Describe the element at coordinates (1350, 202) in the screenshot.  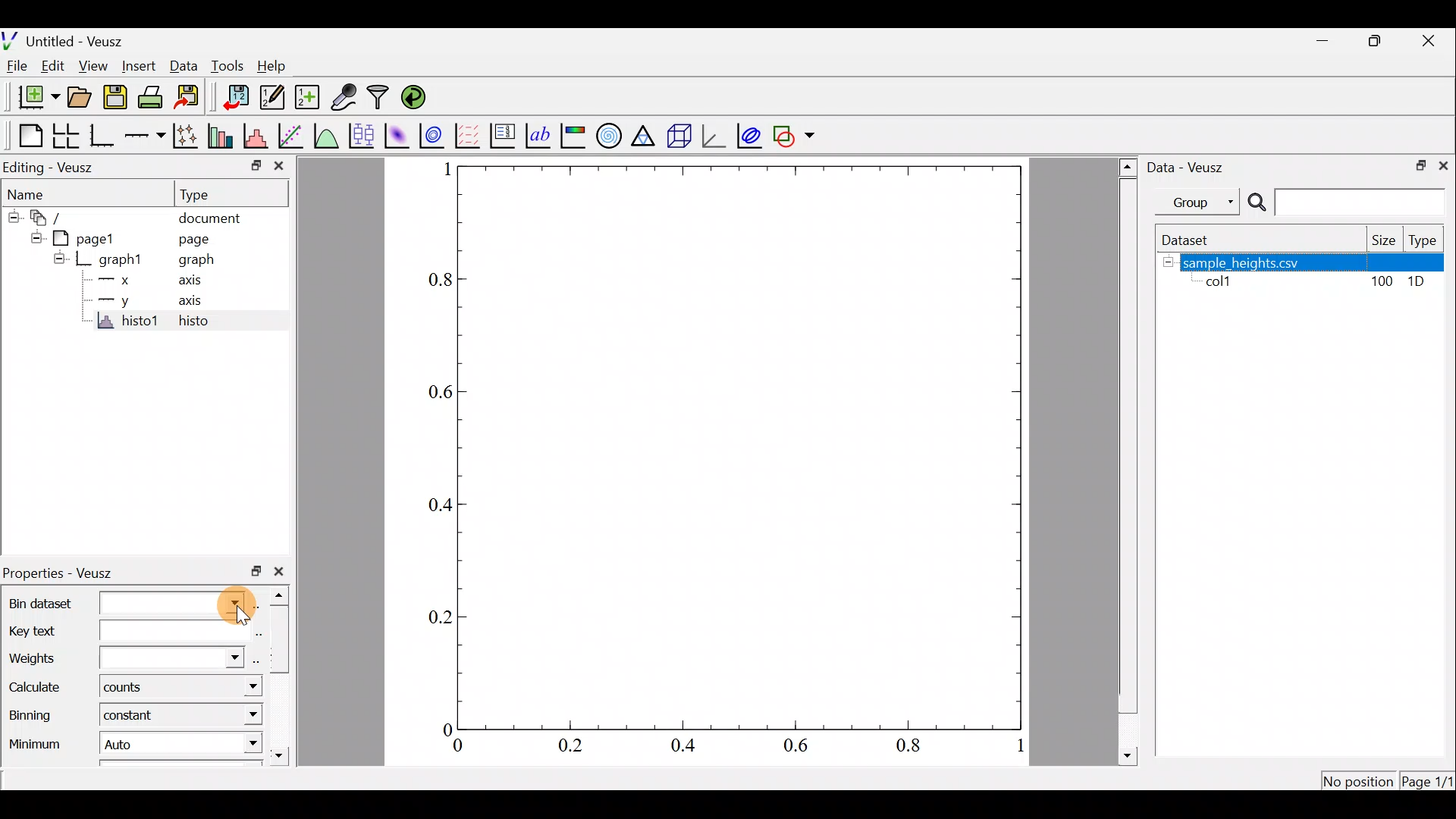
I see `search bar` at that location.